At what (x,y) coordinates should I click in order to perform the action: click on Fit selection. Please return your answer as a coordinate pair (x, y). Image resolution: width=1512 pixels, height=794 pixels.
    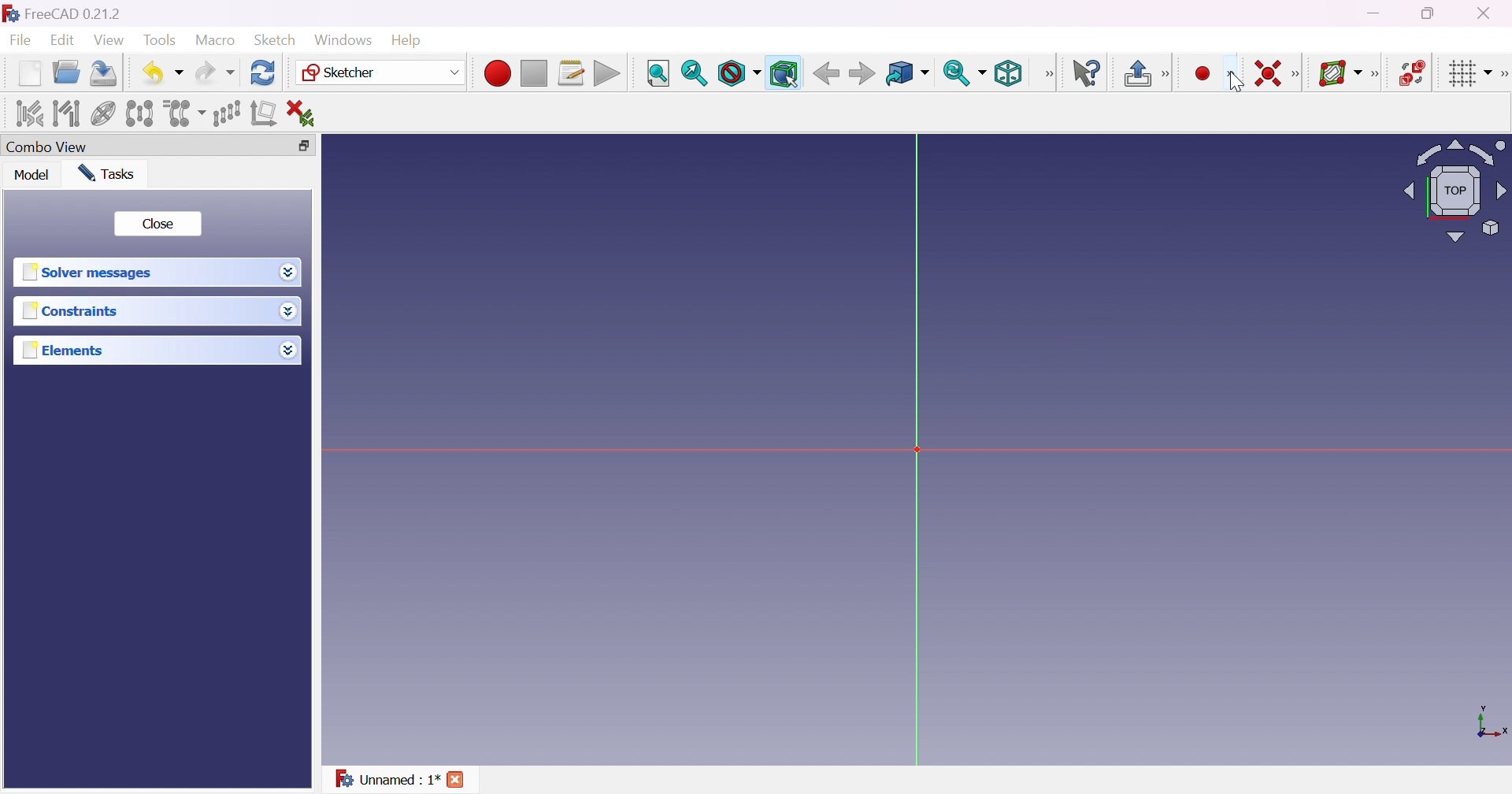
    Looking at the image, I should click on (693, 74).